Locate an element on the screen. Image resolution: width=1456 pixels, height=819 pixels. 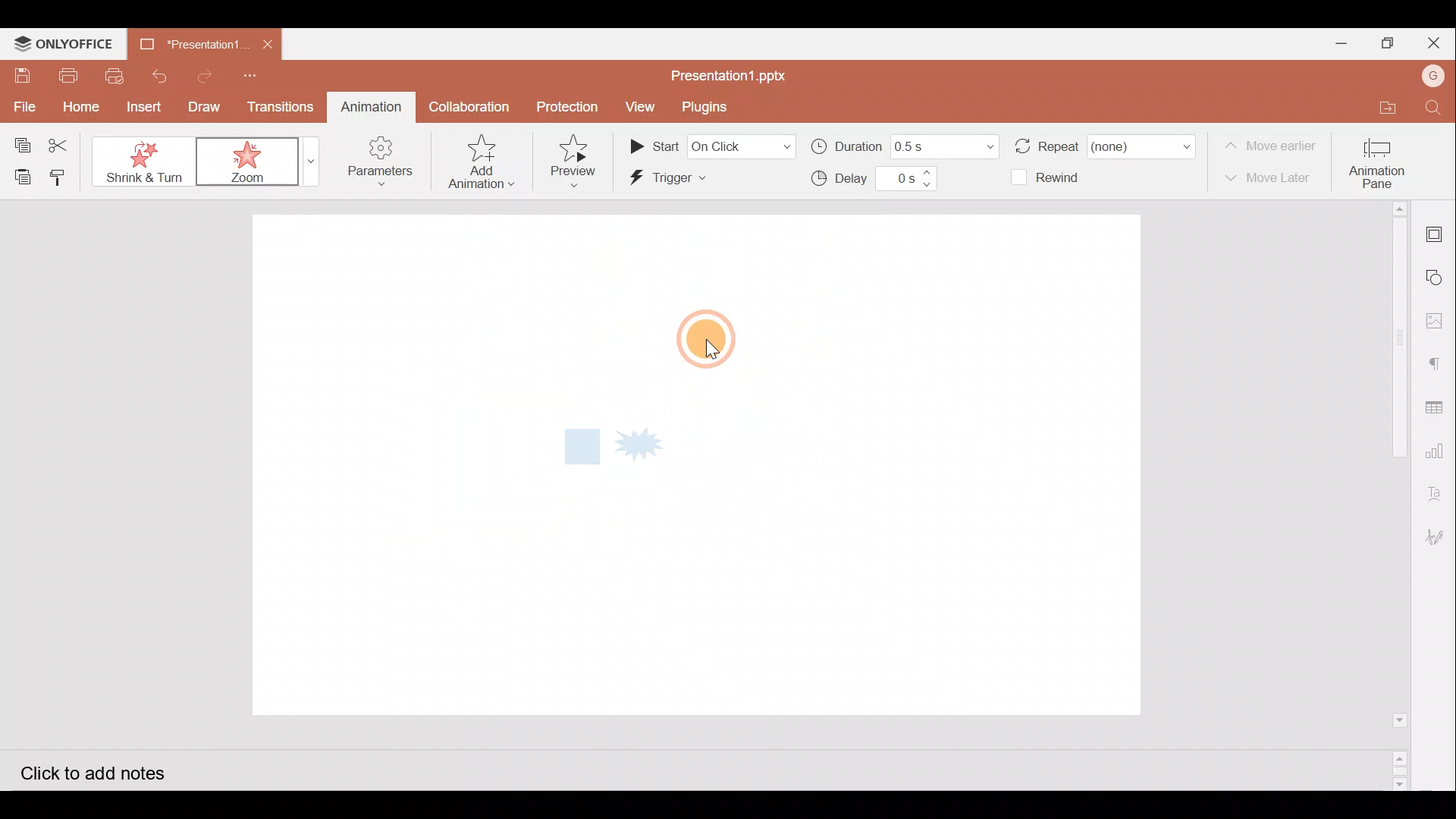
Shape after the zoom animation effect is located at coordinates (616, 450).